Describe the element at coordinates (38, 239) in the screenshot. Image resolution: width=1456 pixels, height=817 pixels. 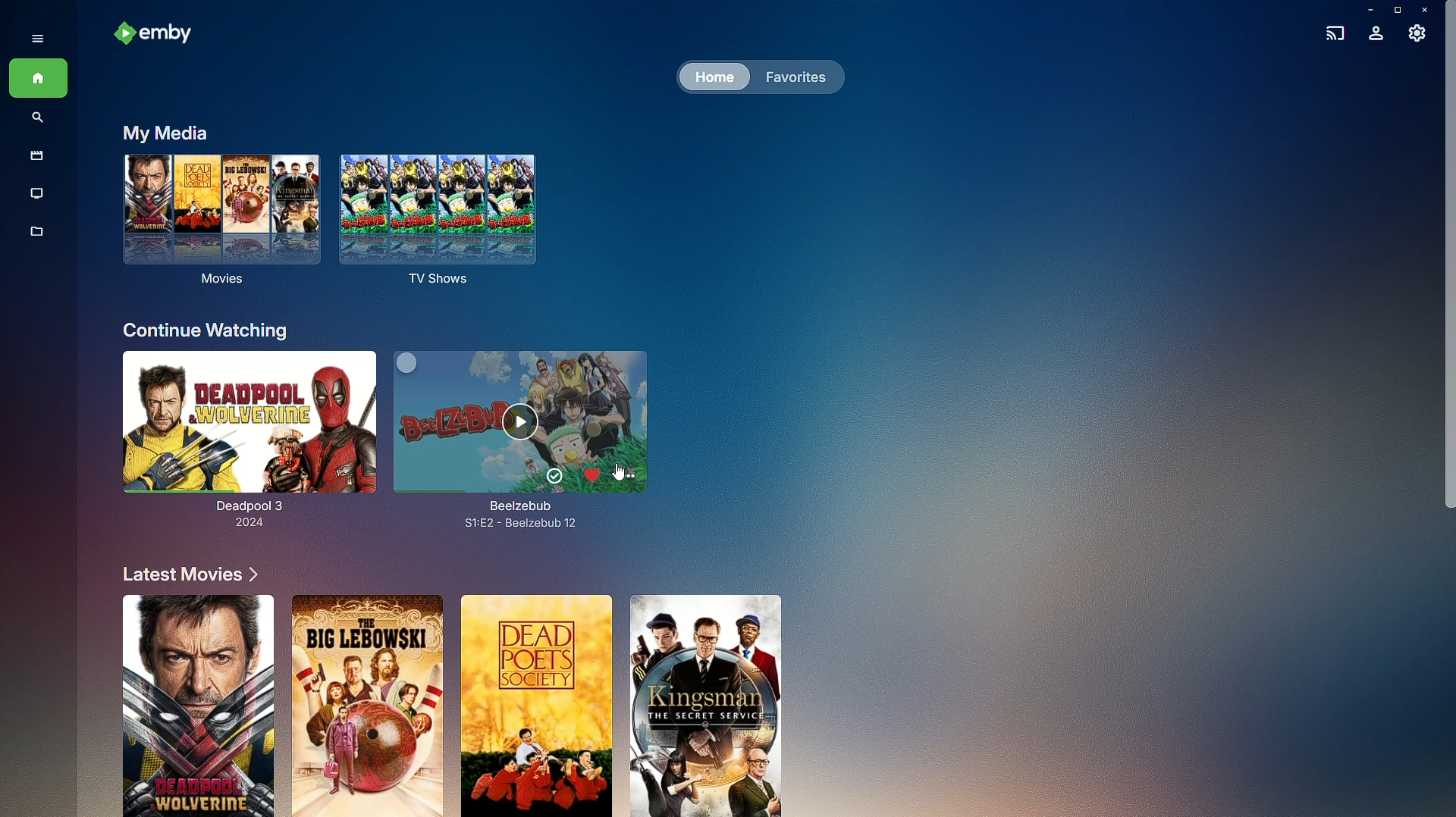
I see `Metadata` at that location.